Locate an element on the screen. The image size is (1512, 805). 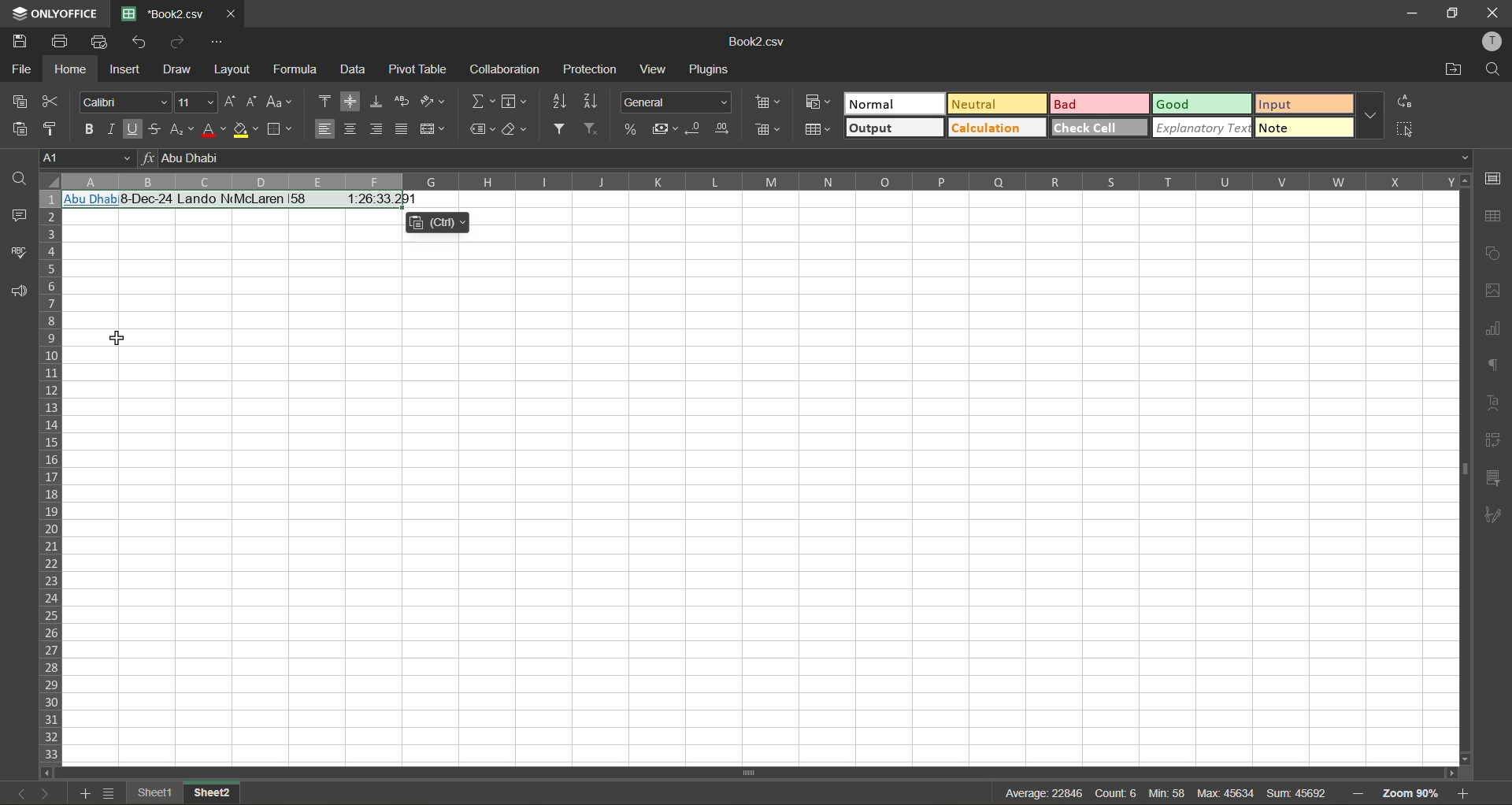
vertical scrollbar is located at coordinates (1461, 466).